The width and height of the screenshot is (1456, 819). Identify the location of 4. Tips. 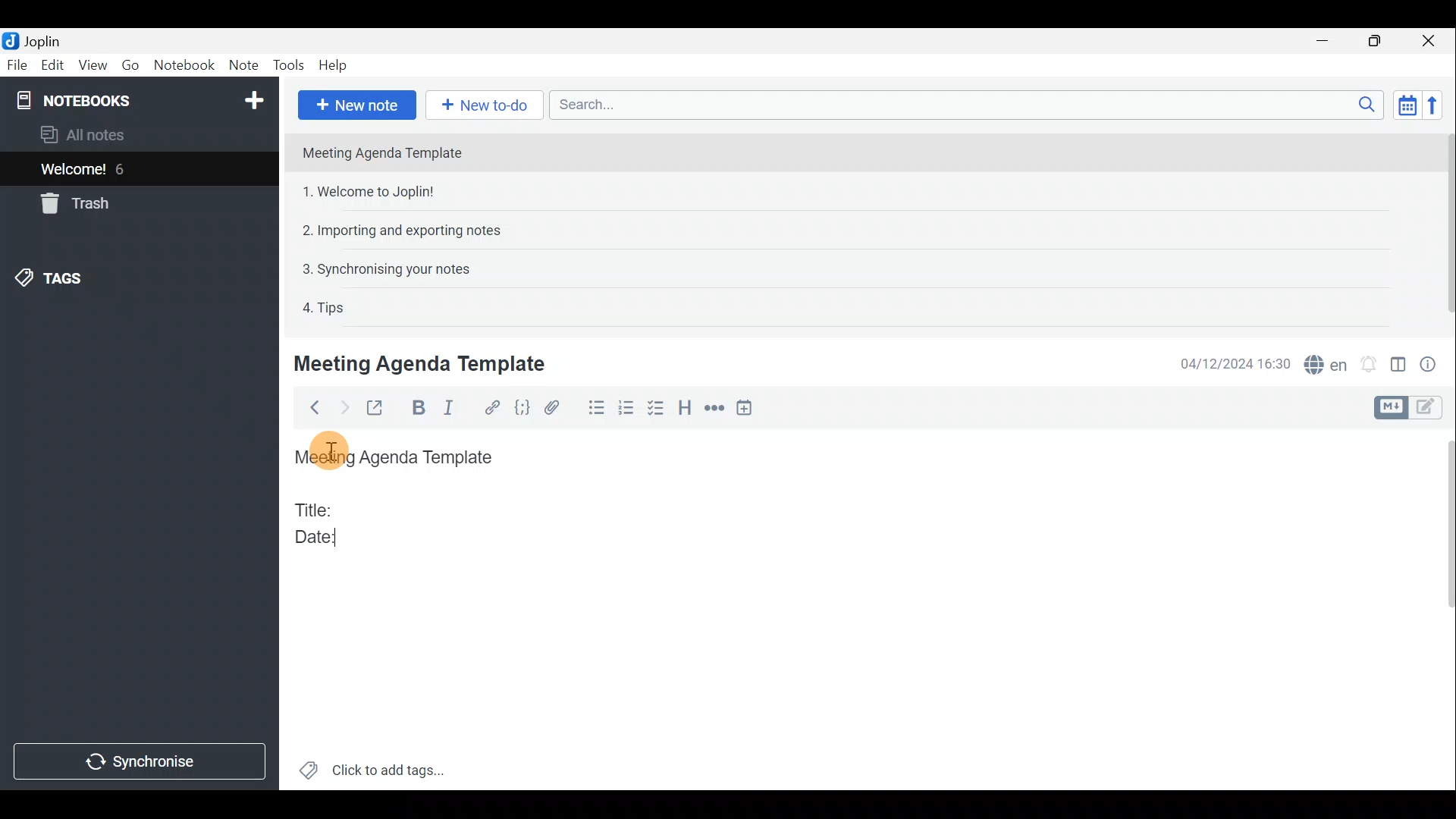
(325, 307).